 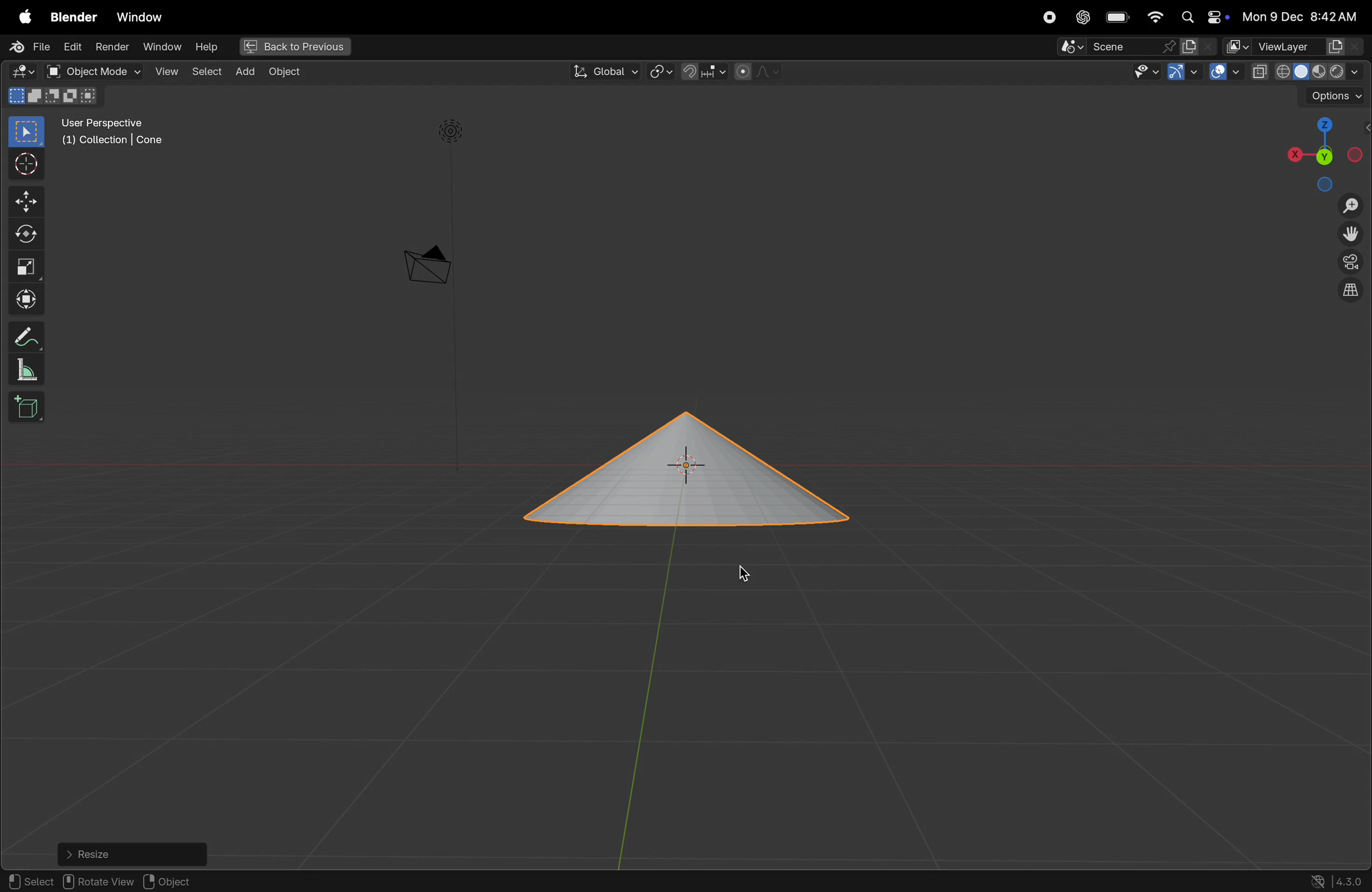 I want to click on record, so click(x=1050, y=17).